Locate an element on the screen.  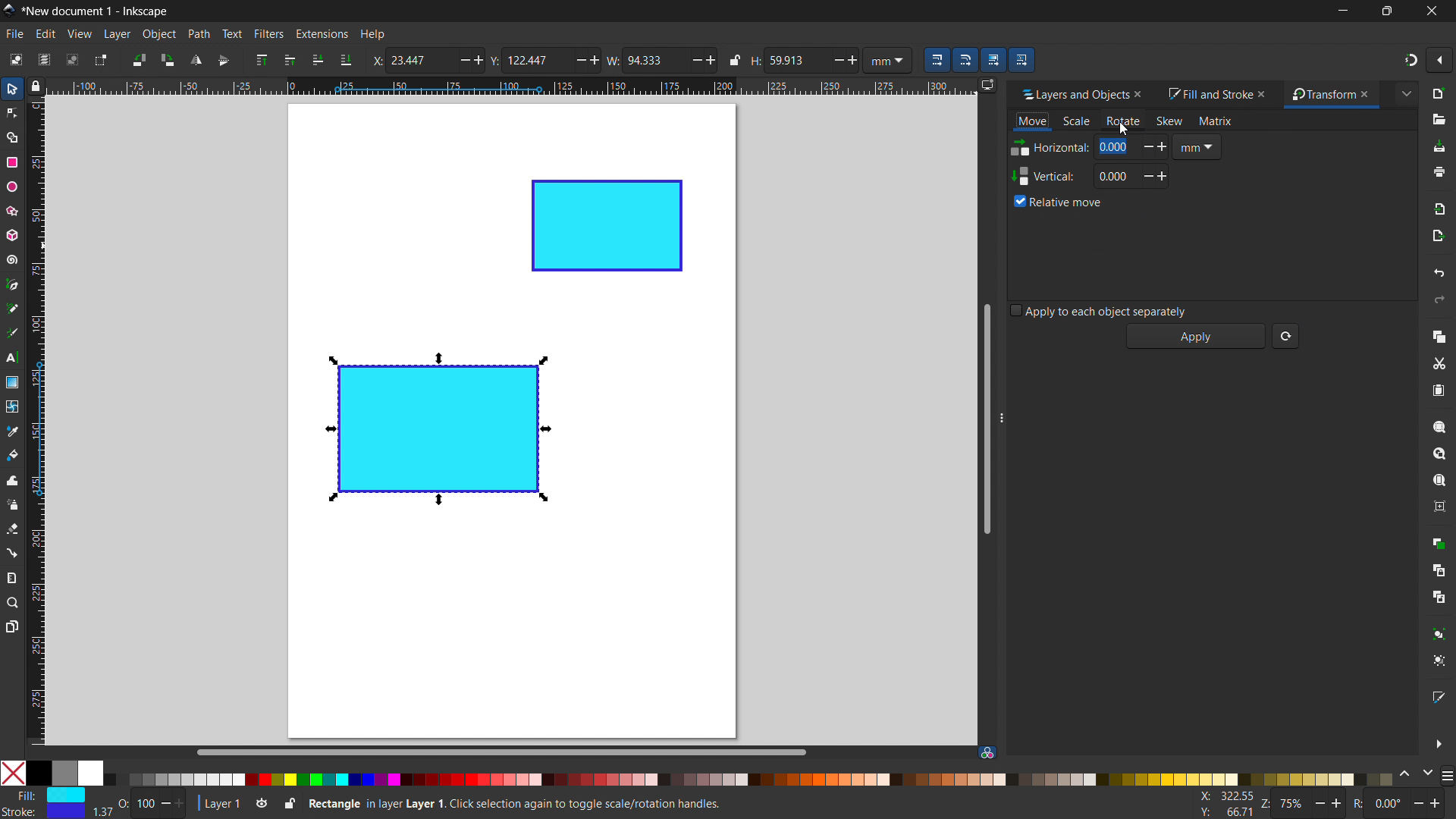
deselect is located at coordinates (73, 59).